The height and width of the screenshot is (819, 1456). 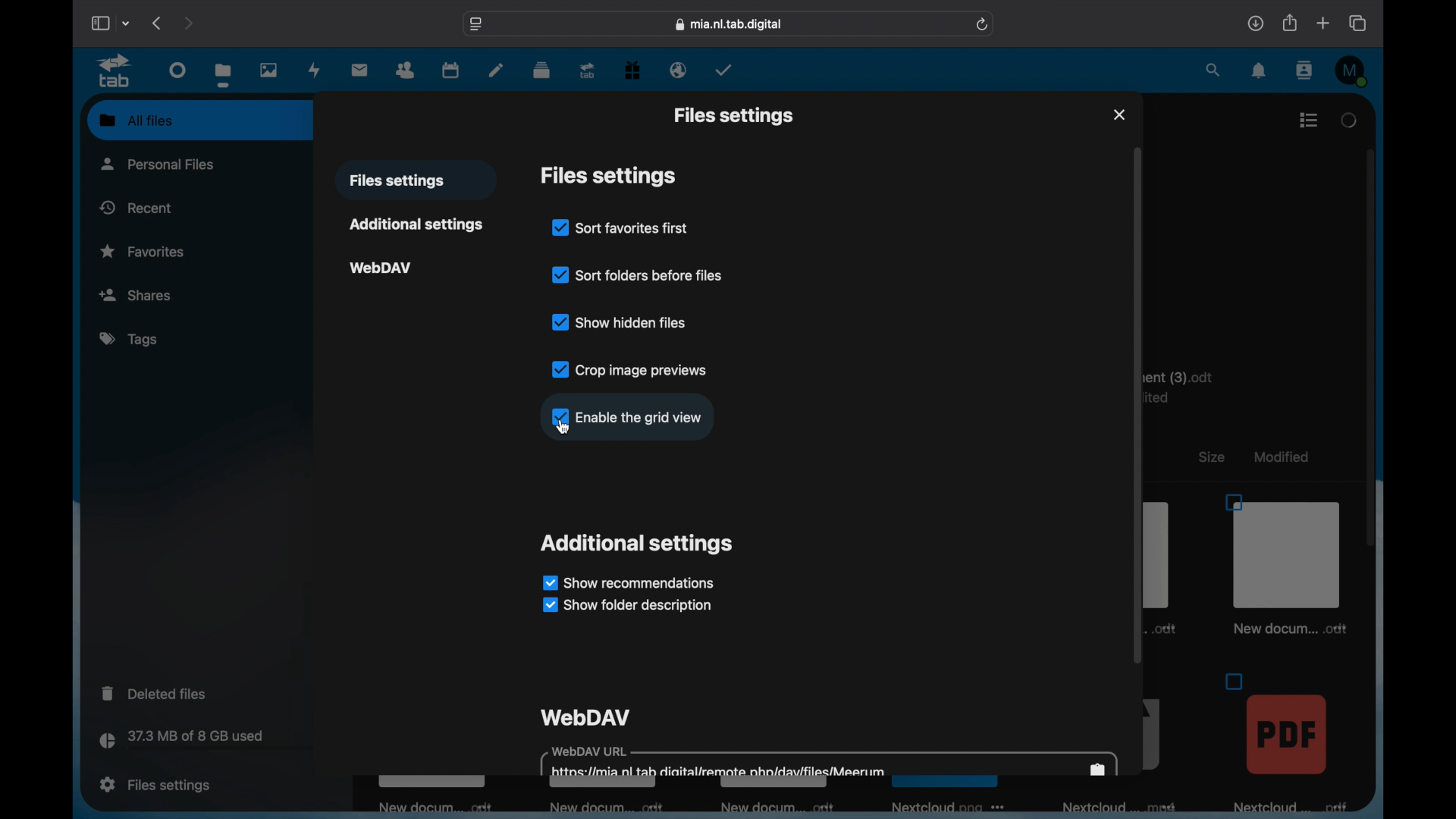 What do you see at coordinates (628, 582) in the screenshot?
I see `show recommendations` at bounding box center [628, 582].